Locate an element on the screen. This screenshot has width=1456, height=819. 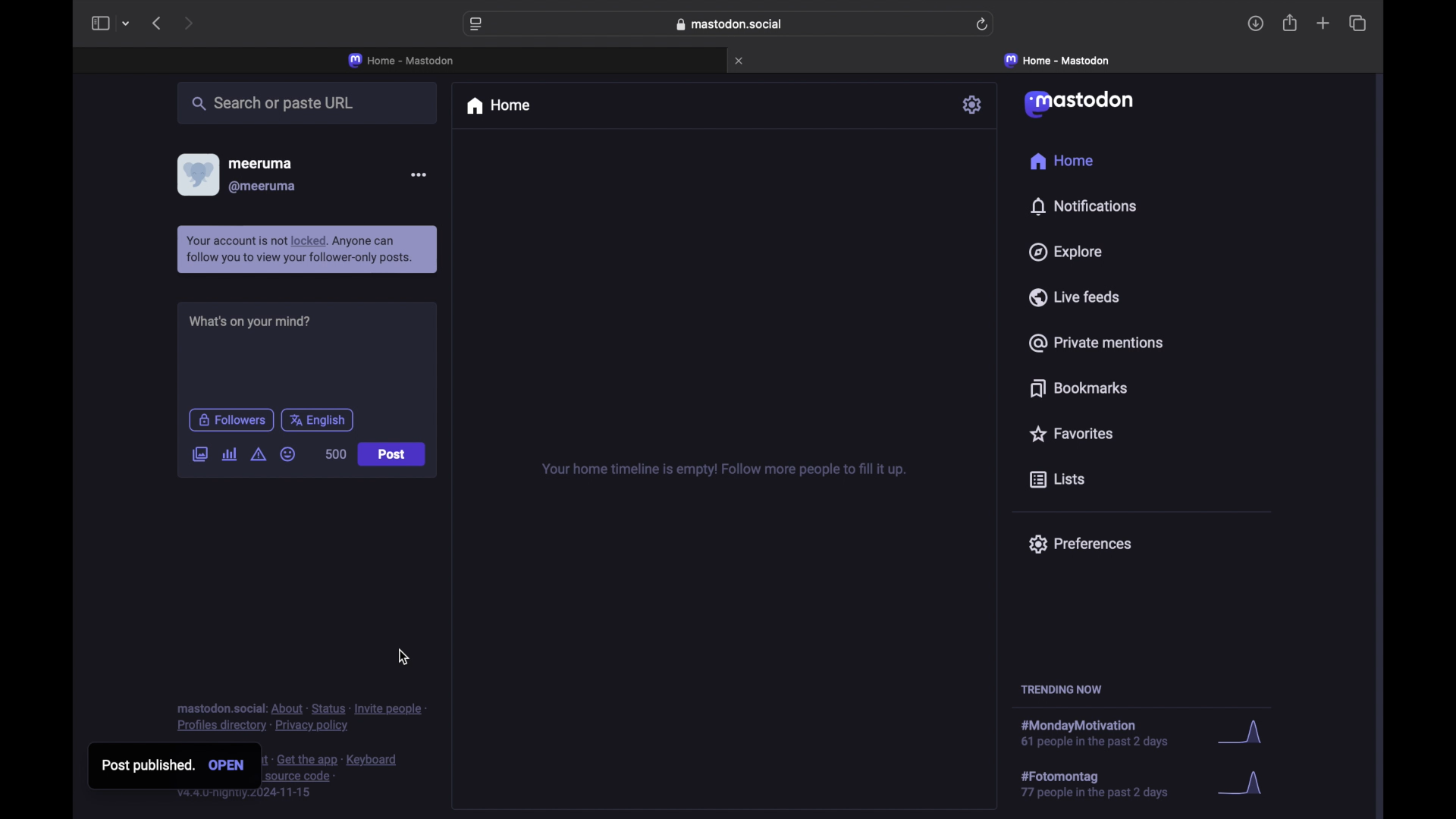
cursor is located at coordinates (403, 657).